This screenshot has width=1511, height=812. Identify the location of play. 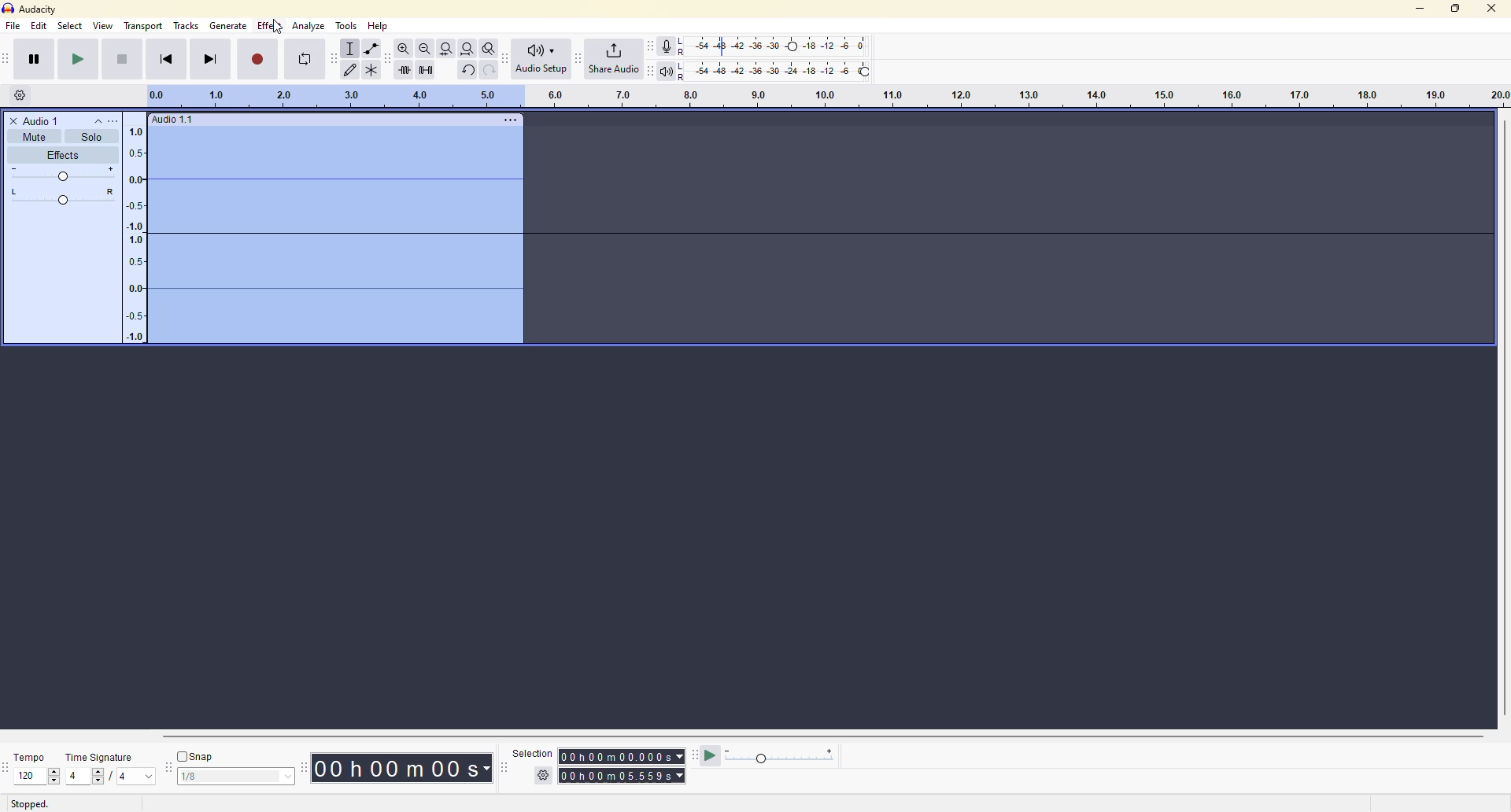
(78, 59).